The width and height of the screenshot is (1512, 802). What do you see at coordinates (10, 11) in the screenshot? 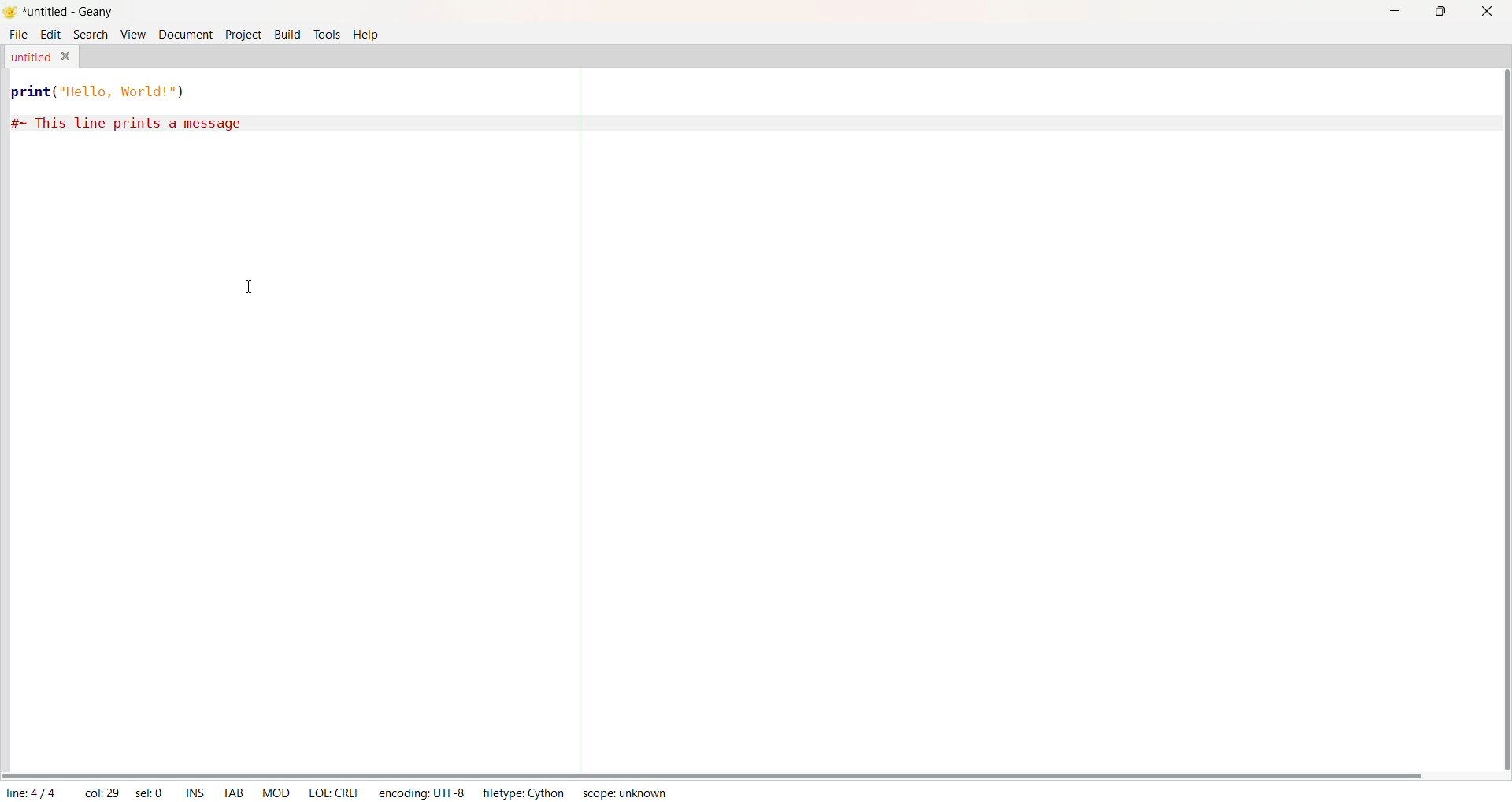
I see `Logo` at bounding box center [10, 11].